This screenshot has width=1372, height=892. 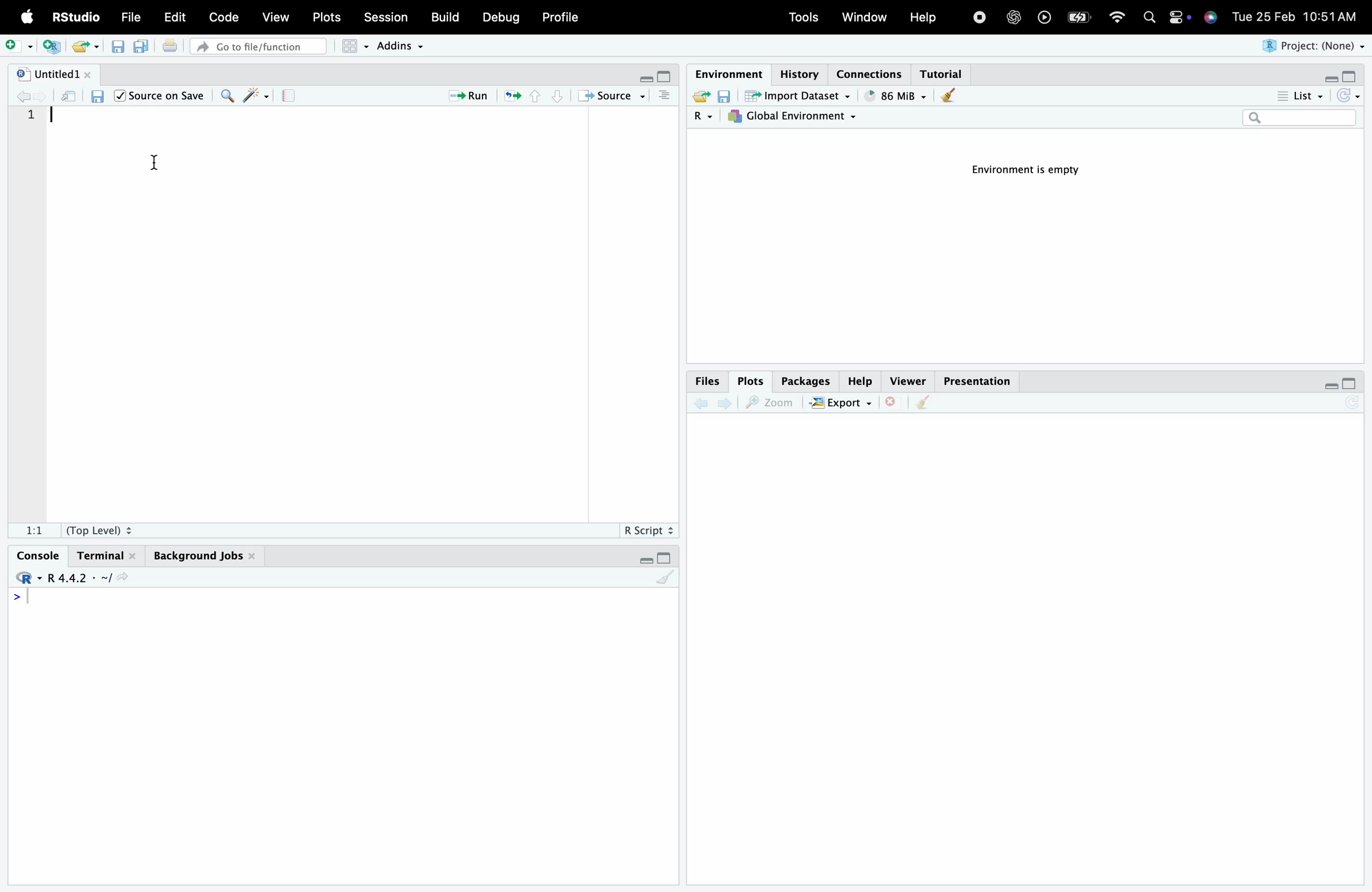 I want to click on minimise, so click(x=640, y=74).